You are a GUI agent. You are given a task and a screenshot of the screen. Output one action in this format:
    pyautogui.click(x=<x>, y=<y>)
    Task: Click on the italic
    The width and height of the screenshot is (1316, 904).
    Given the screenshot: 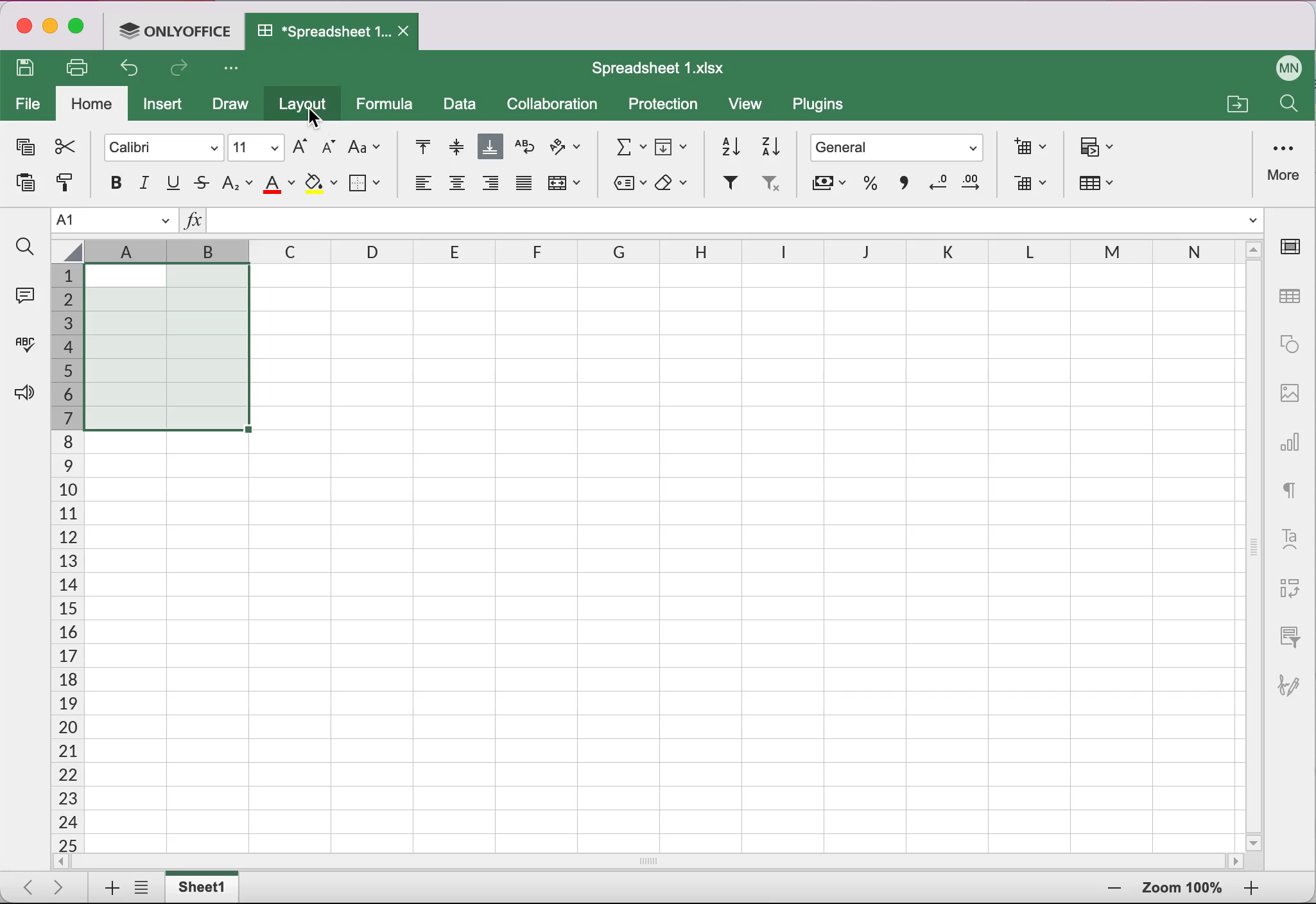 What is the action you would take?
    pyautogui.click(x=146, y=183)
    